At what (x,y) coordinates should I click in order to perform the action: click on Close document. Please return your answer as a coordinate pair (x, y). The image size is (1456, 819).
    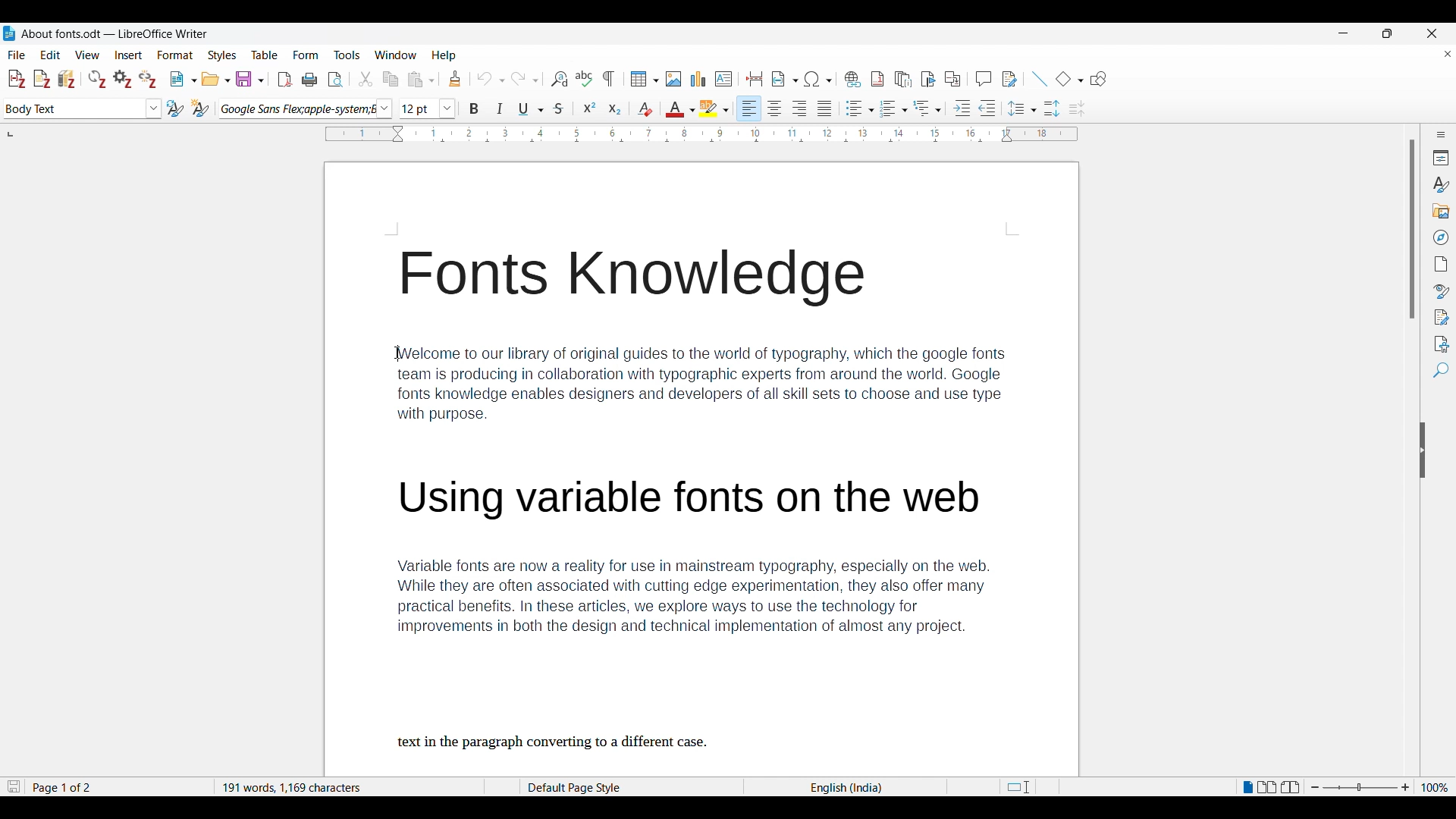
    Looking at the image, I should click on (1448, 54).